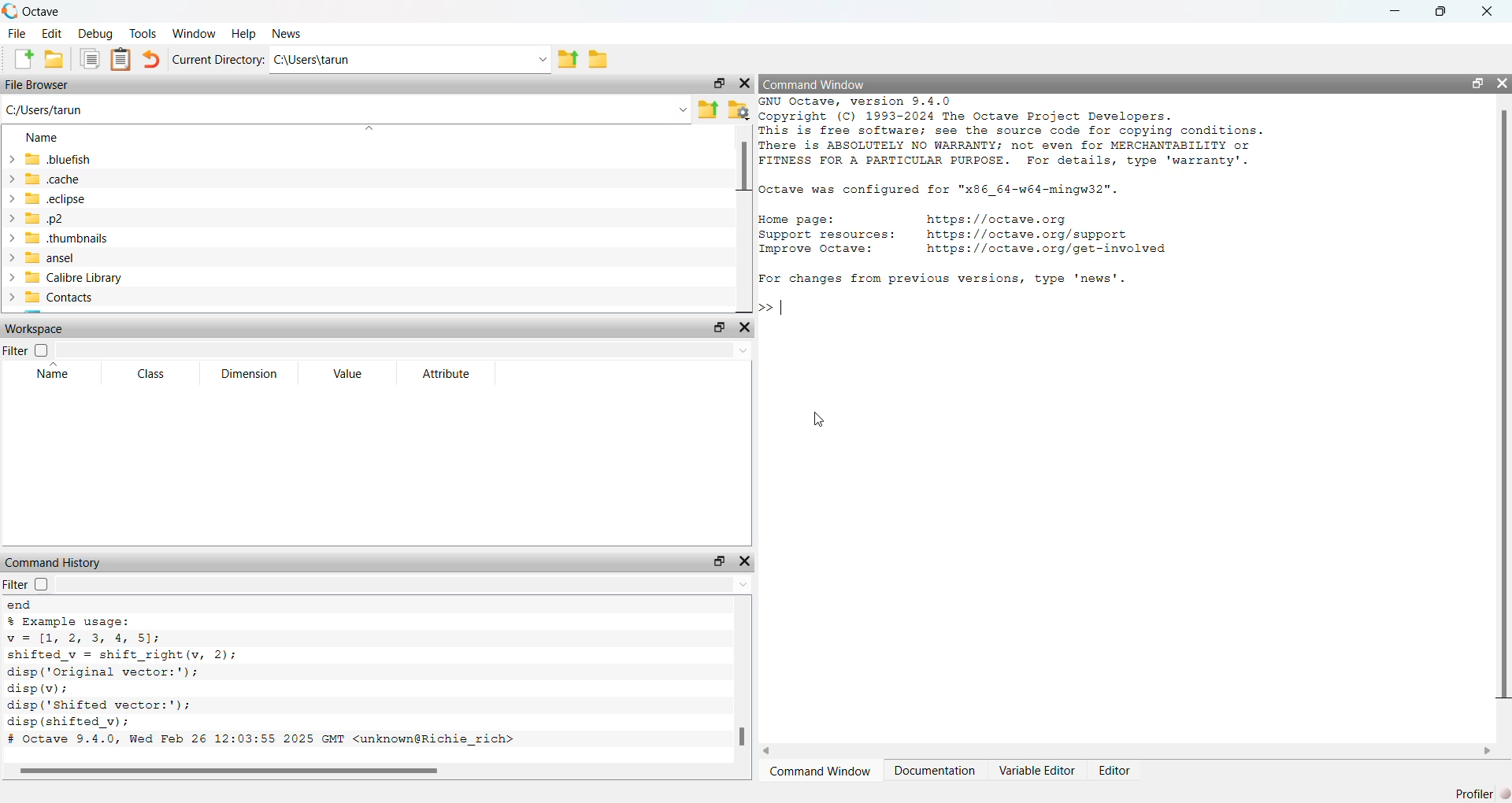 The image size is (1512, 803). I want to click on ansel, so click(61, 257).